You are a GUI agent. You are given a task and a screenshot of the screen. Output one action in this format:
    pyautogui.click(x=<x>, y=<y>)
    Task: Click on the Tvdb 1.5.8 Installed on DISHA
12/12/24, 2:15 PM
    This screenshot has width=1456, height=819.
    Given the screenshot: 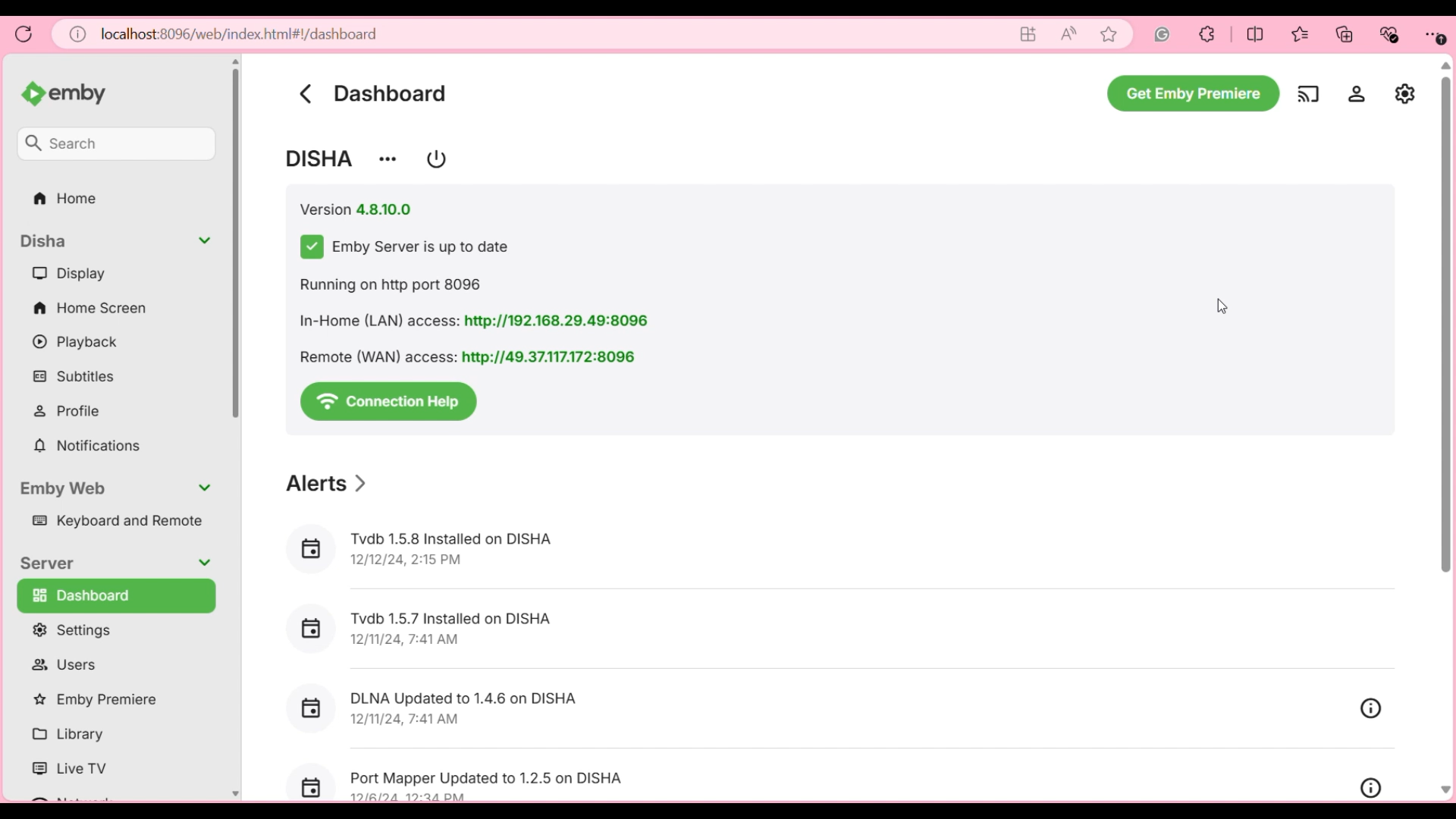 What is the action you would take?
    pyautogui.click(x=453, y=550)
    